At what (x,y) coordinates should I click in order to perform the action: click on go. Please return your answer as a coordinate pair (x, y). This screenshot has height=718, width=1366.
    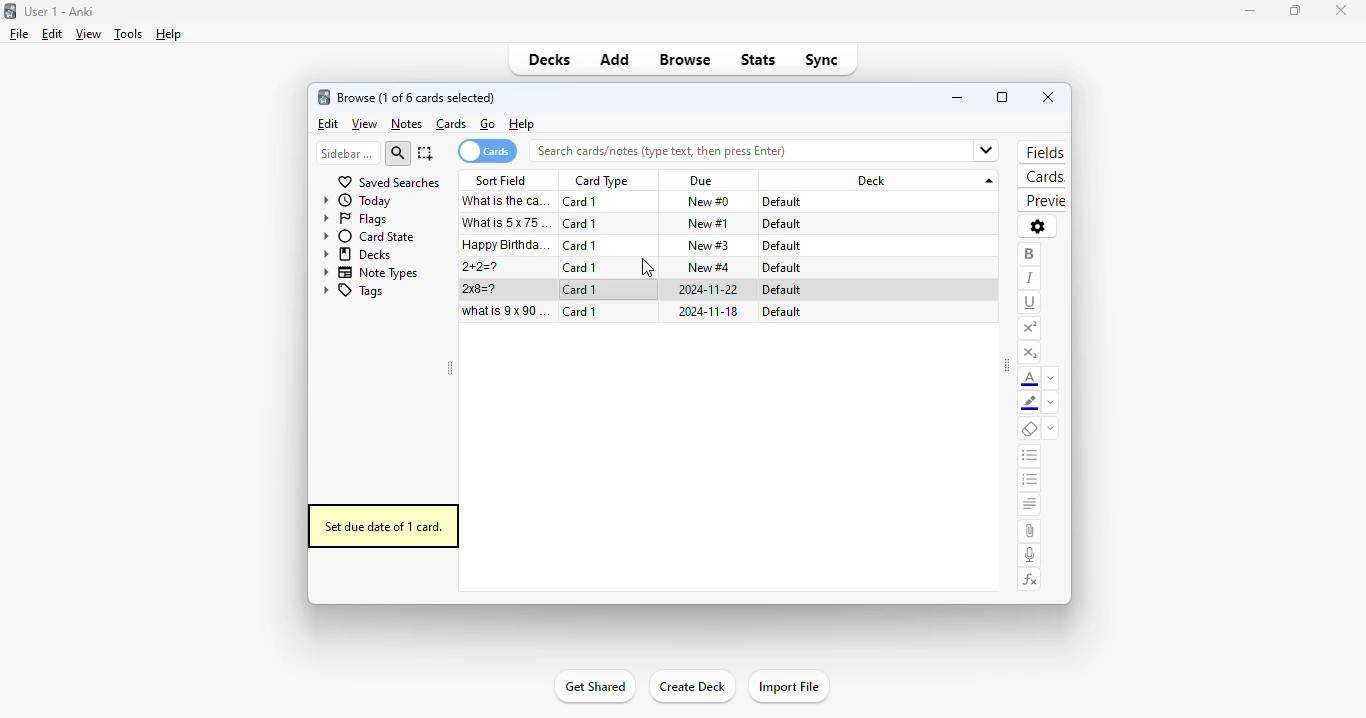
    Looking at the image, I should click on (488, 124).